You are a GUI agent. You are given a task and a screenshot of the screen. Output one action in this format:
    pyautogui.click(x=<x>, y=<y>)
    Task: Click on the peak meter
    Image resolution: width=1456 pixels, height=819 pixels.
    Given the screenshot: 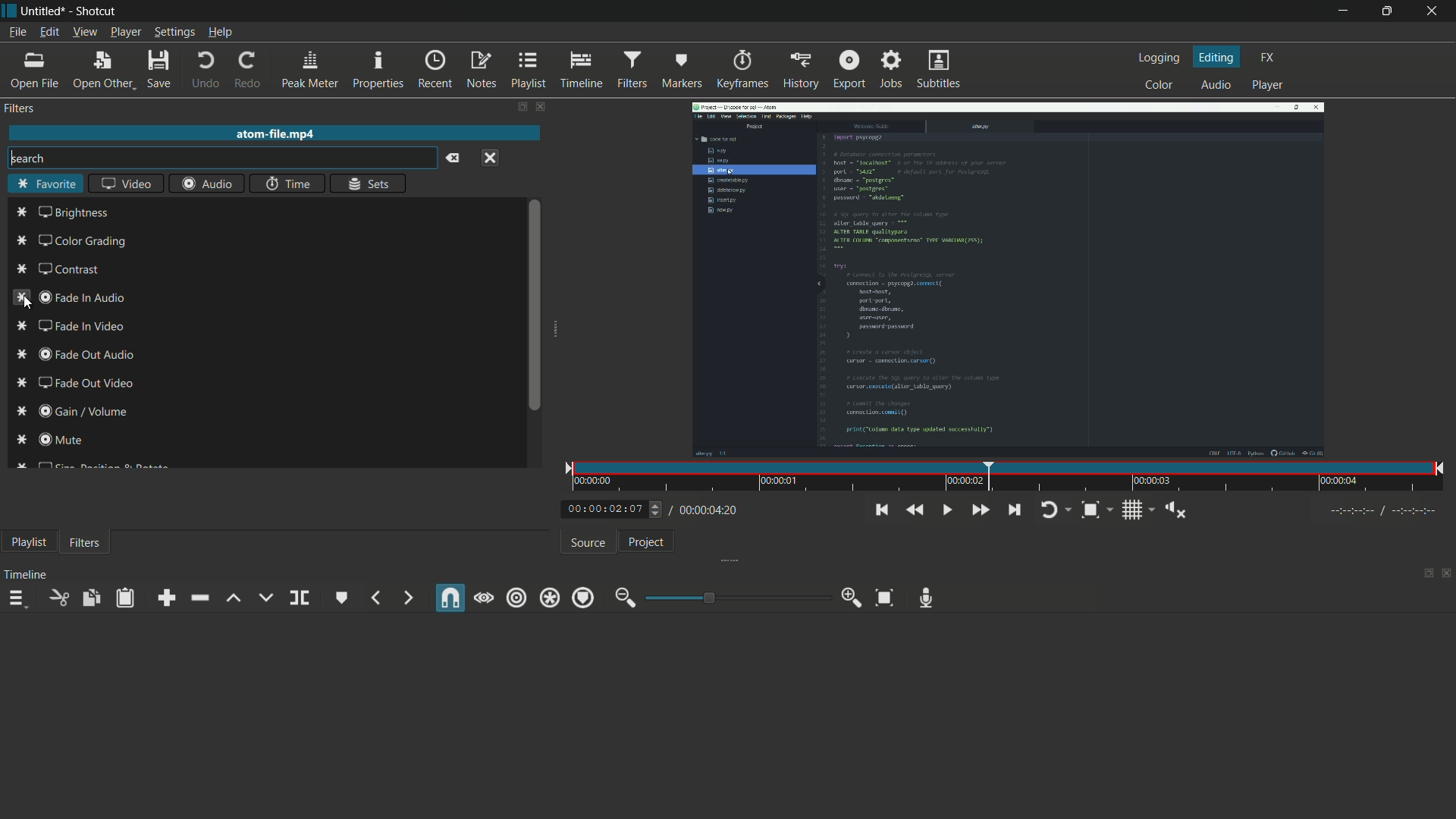 What is the action you would take?
    pyautogui.click(x=309, y=71)
    